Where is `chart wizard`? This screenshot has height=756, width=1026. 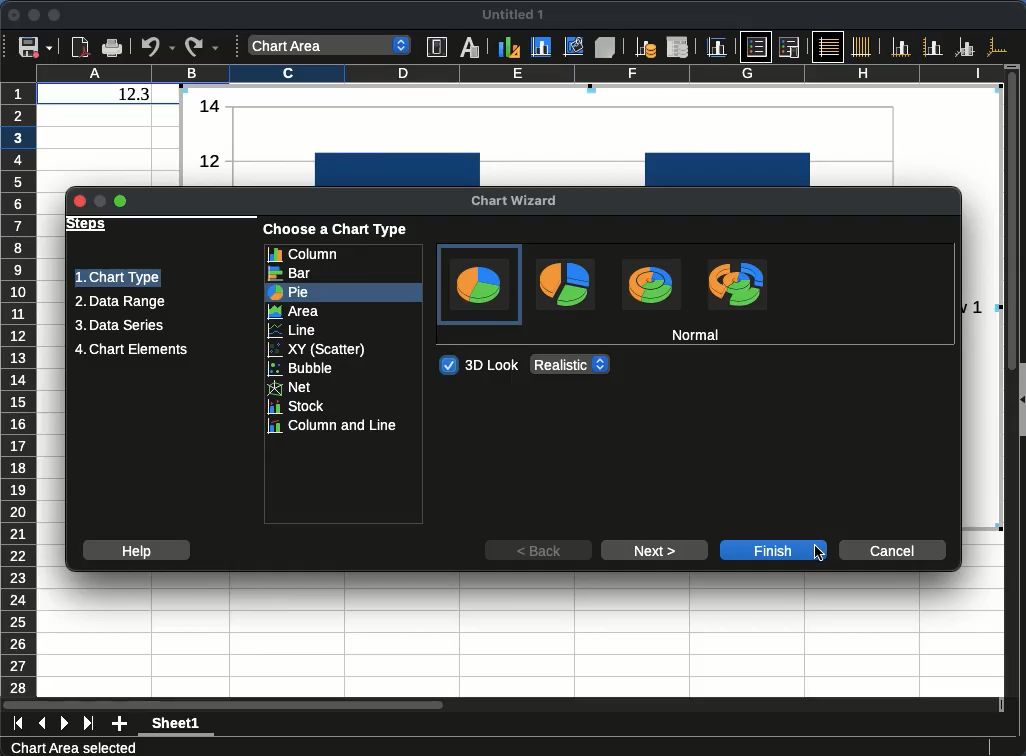 chart wizard is located at coordinates (515, 202).